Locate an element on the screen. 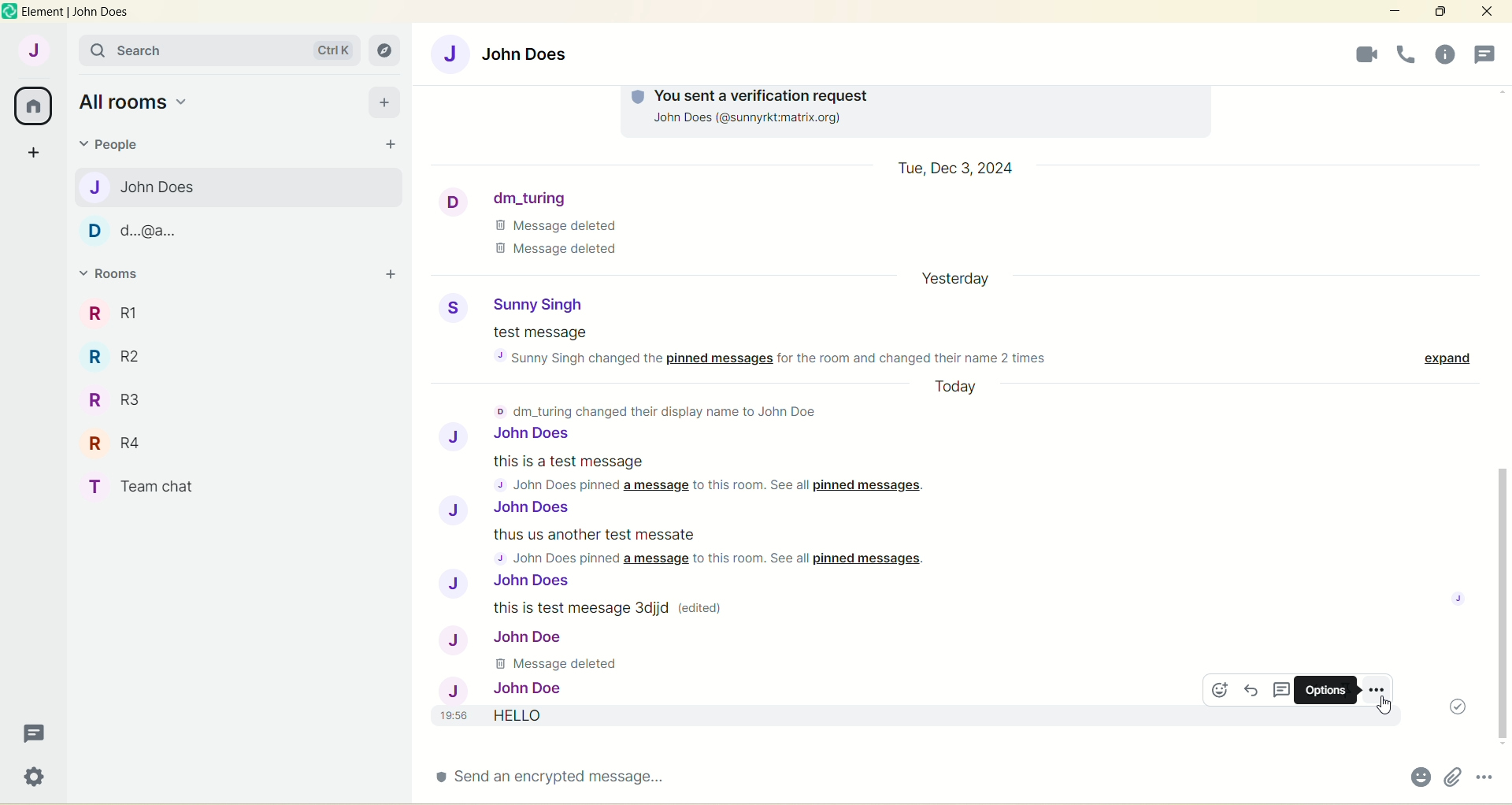 Image resolution: width=1512 pixels, height=805 pixels. emoji is located at coordinates (1416, 777).